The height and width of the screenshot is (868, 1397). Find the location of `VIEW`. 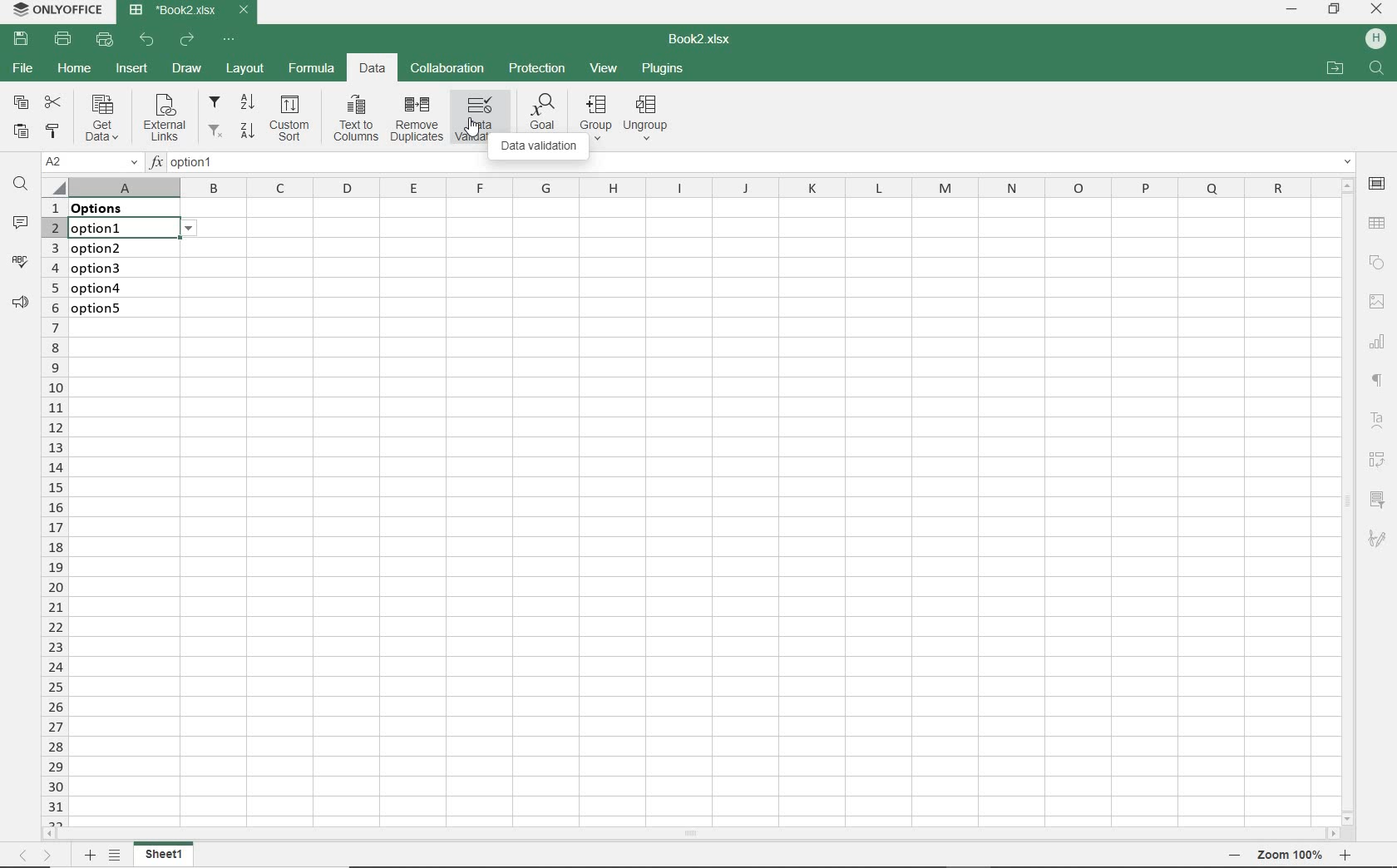

VIEW is located at coordinates (604, 68).